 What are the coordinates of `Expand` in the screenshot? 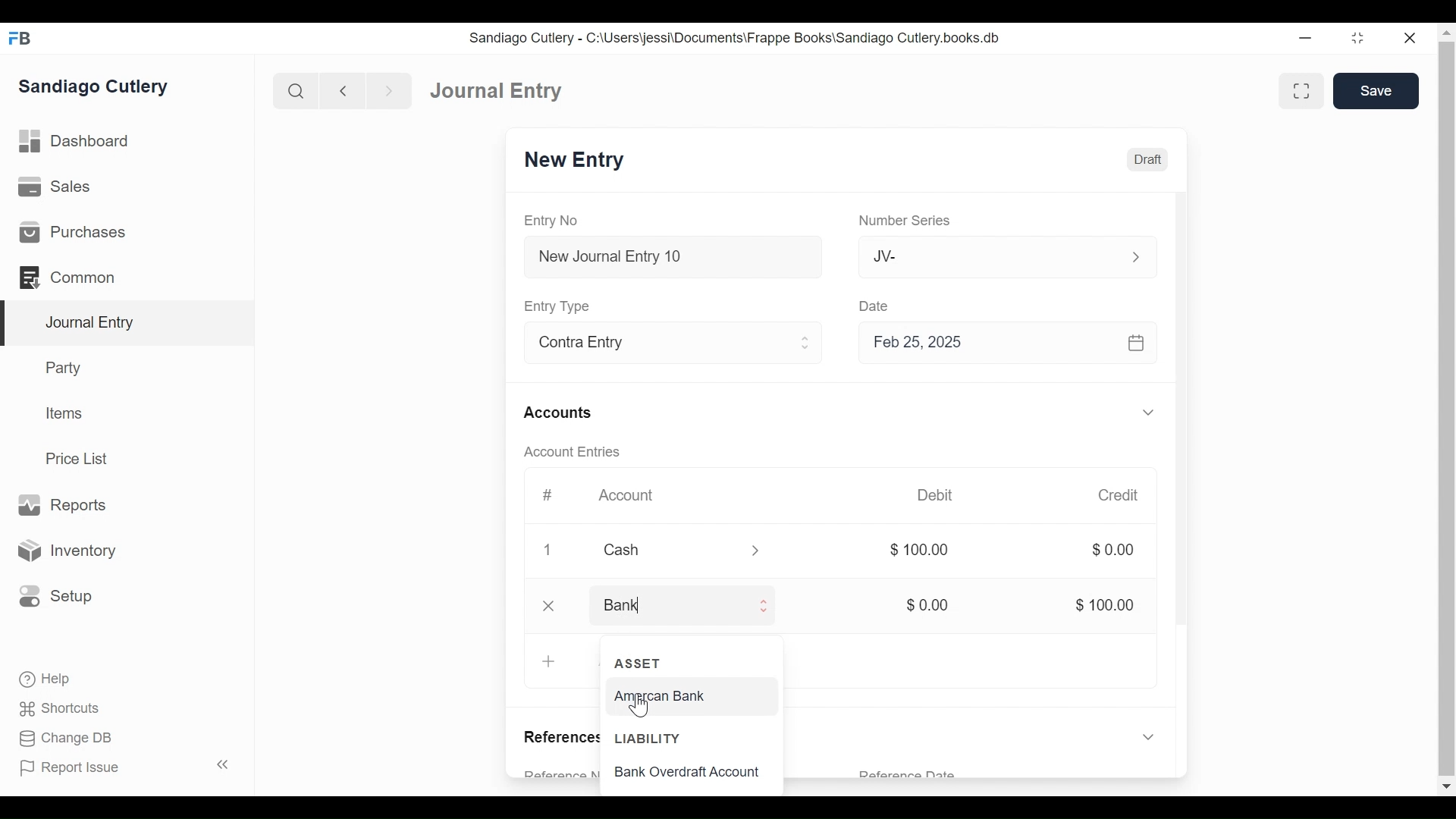 It's located at (806, 344).